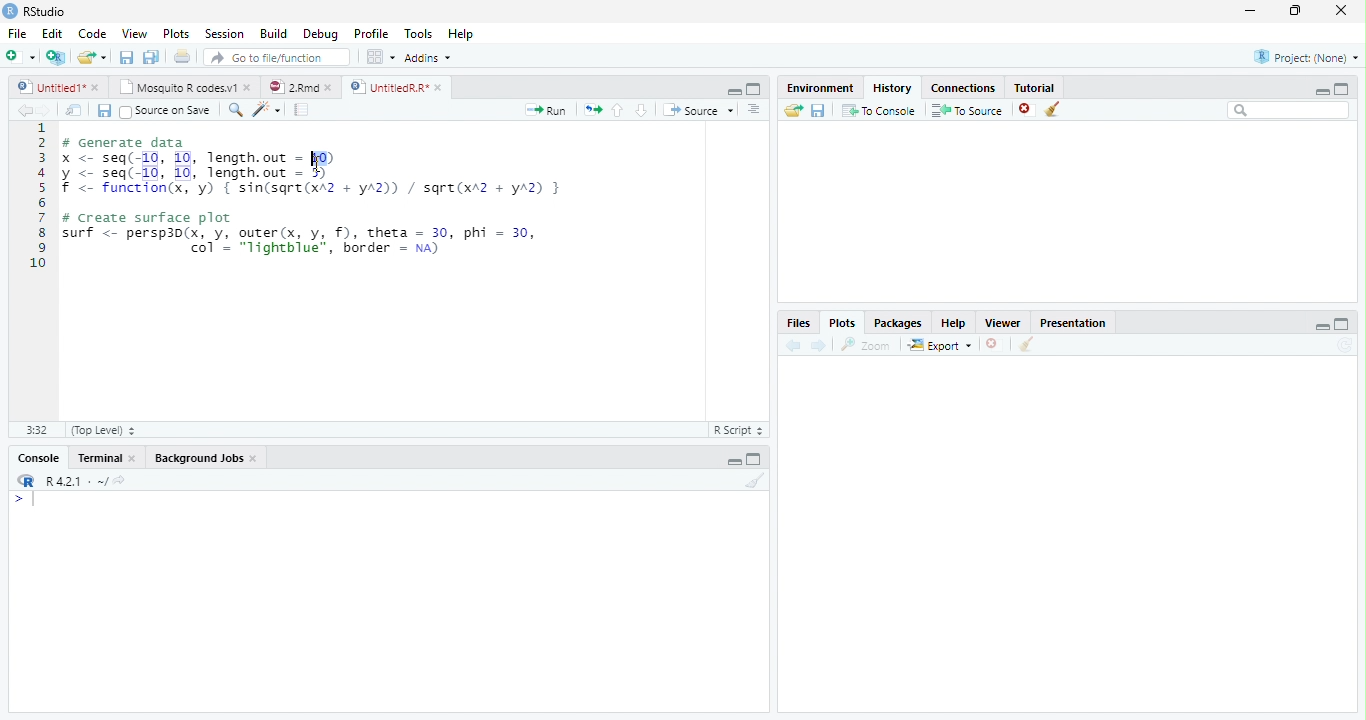 The image size is (1366, 720). I want to click on Save history into a file, so click(818, 110).